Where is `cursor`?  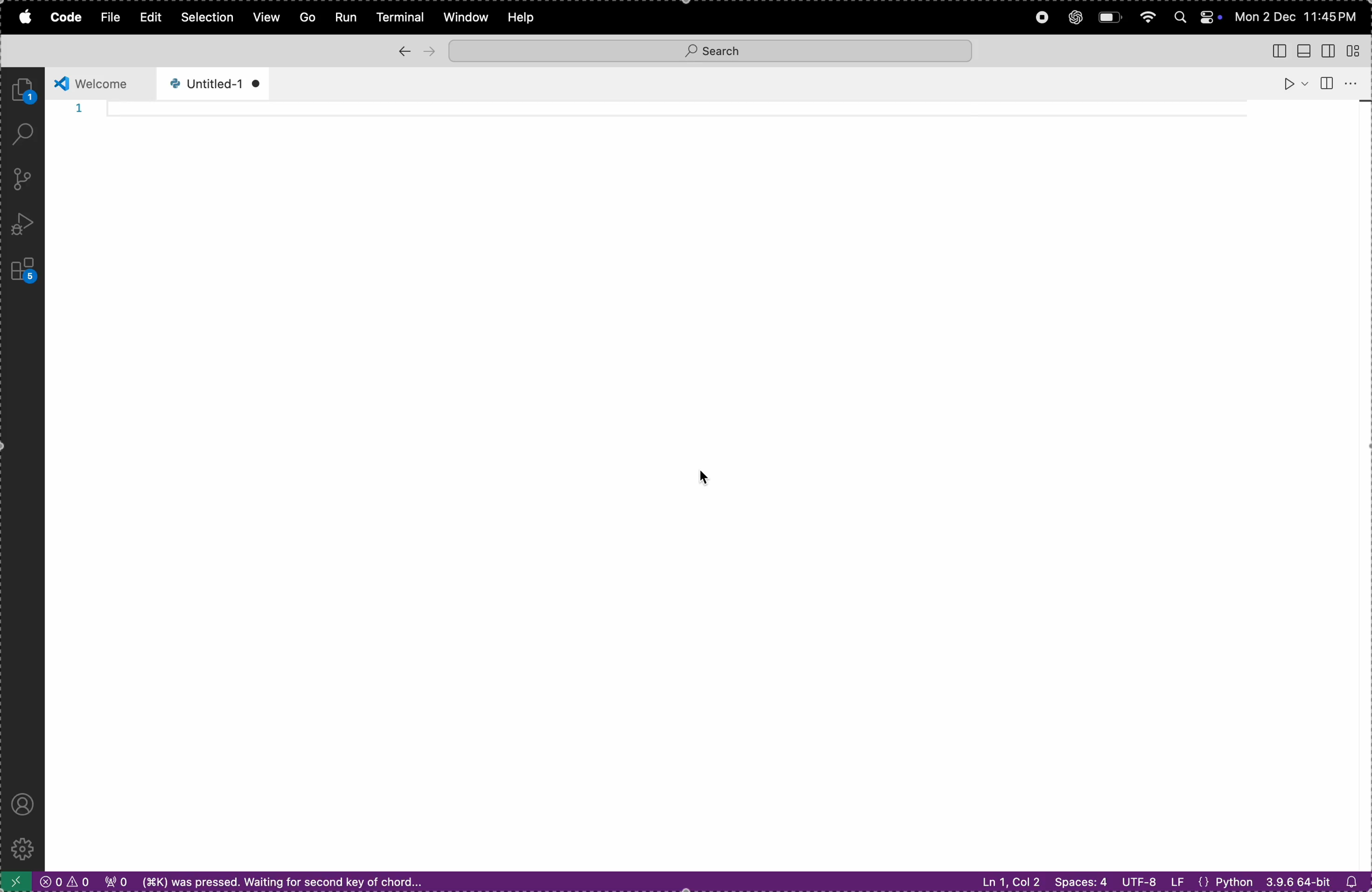 cursor is located at coordinates (698, 477).